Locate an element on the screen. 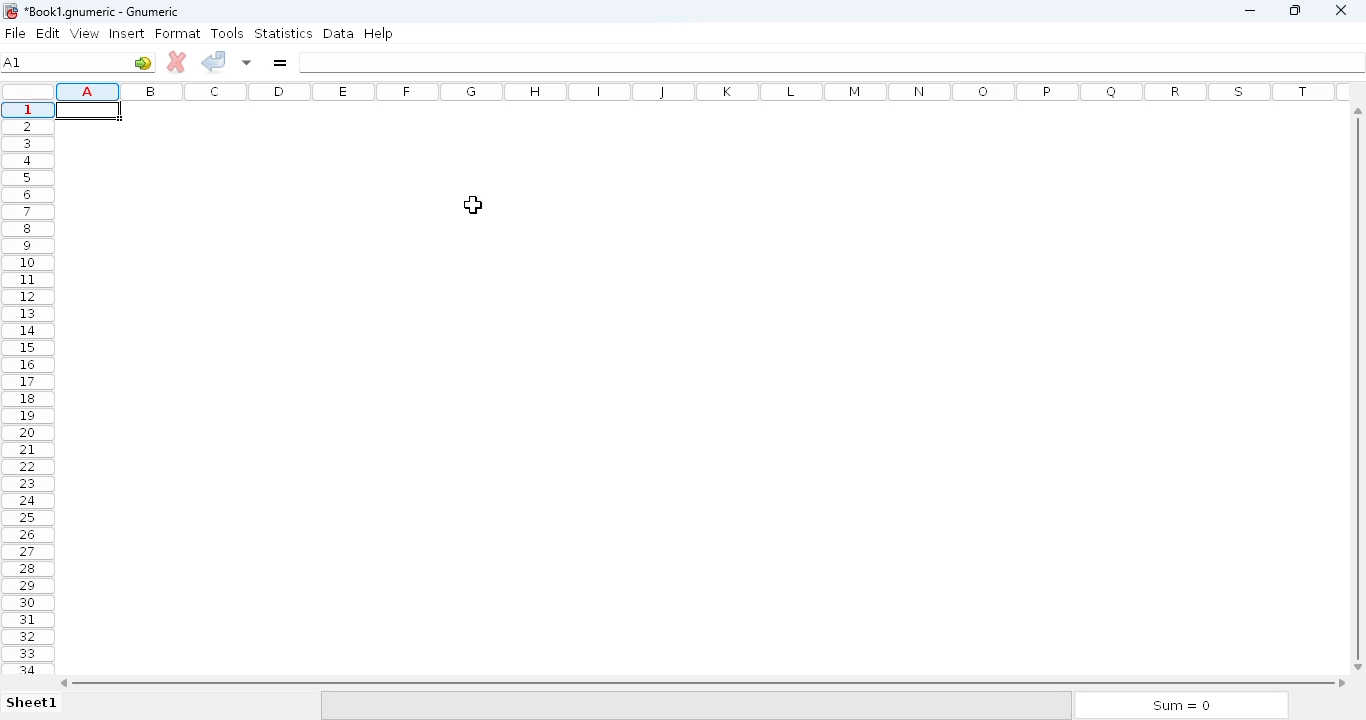 Image resolution: width=1366 pixels, height=720 pixels. vertical scroll bar is located at coordinates (1361, 387).